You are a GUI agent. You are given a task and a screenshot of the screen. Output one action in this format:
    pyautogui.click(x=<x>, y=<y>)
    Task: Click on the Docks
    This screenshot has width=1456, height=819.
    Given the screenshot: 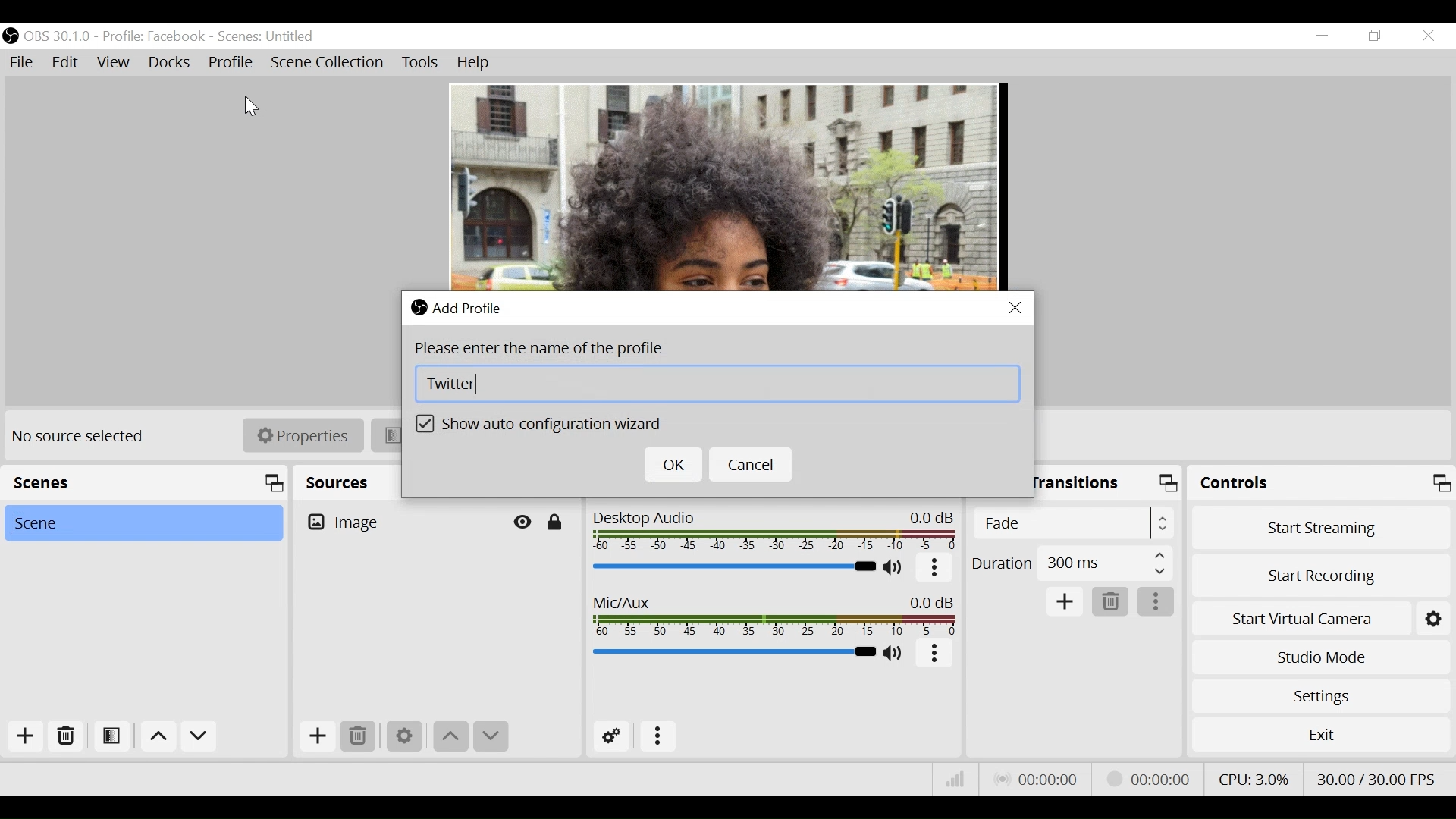 What is the action you would take?
    pyautogui.click(x=169, y=63)
    